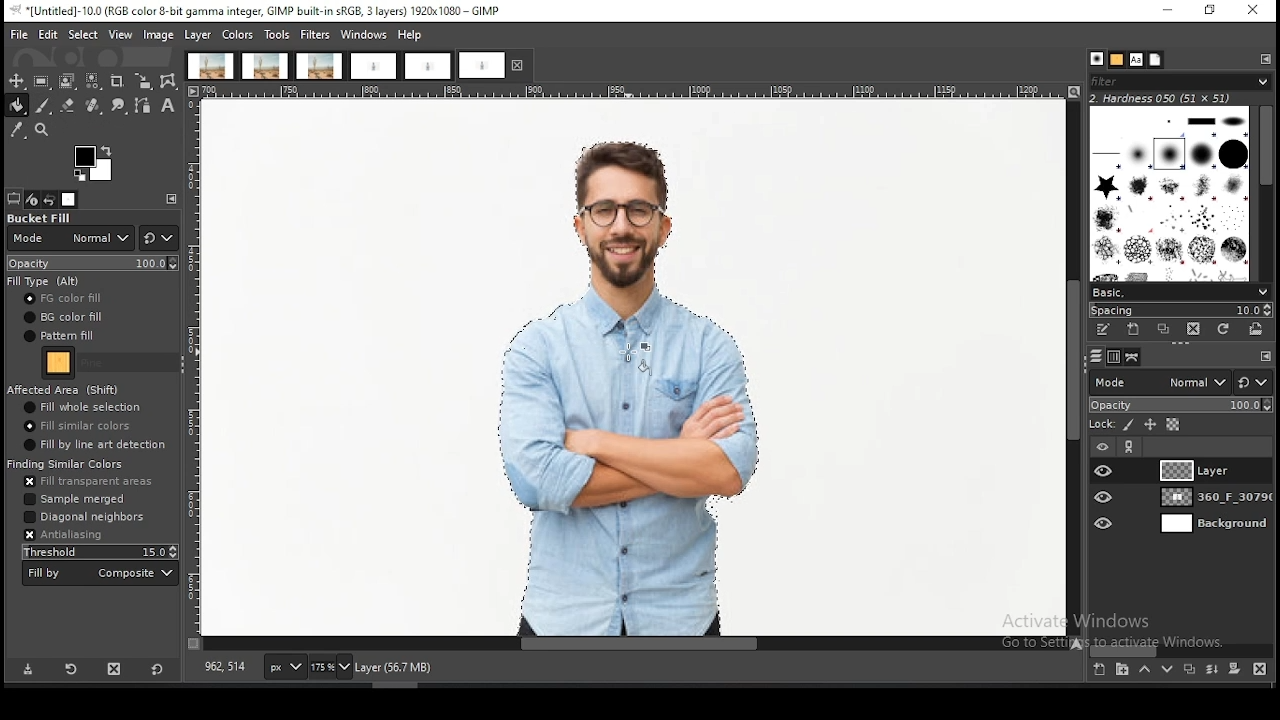 The width and height of the screenshot is (1280, 720). I want to click on delete tool preset, so click(116, 667).